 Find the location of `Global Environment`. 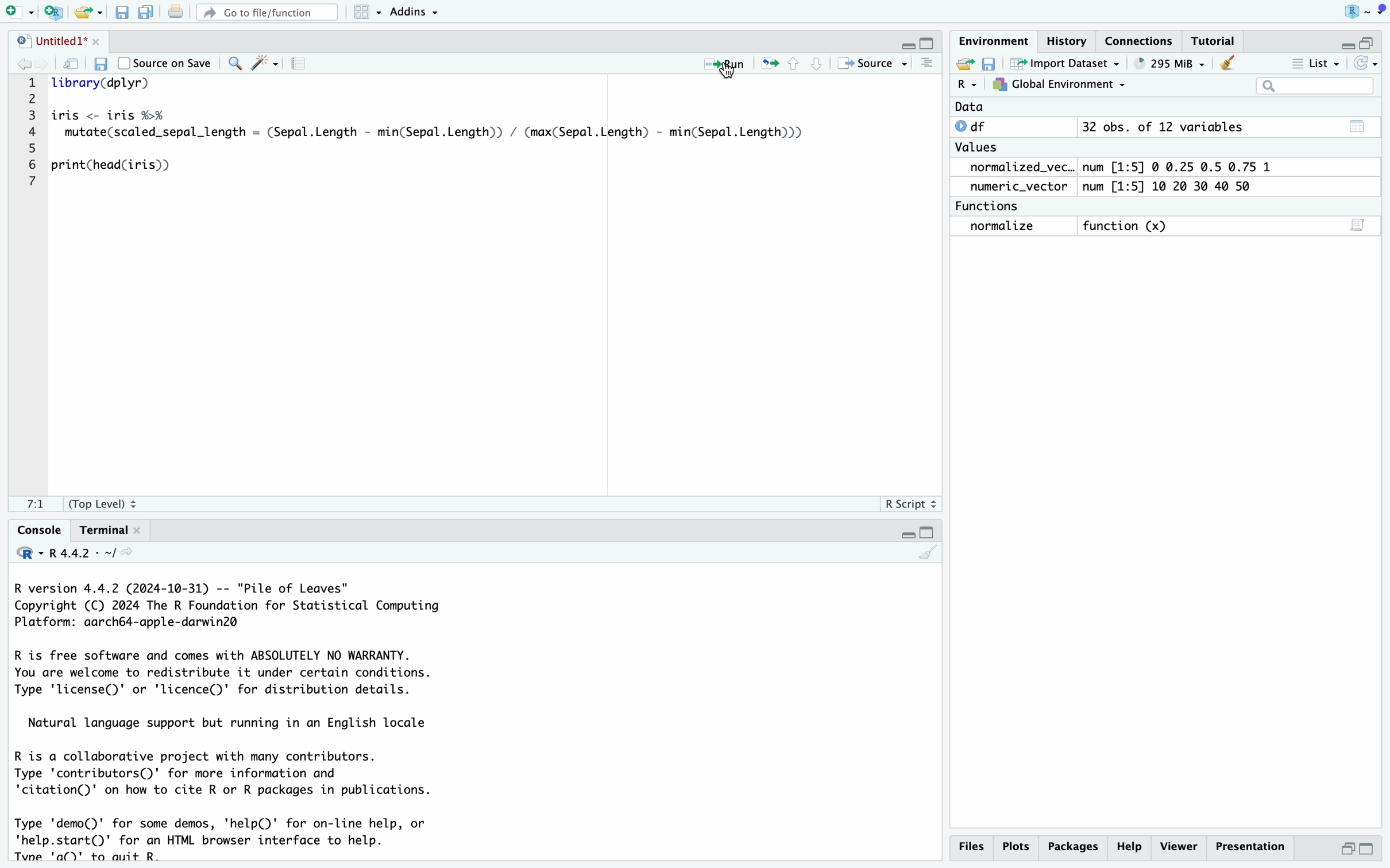

Global Environment is located at coordinates (1060, 85).